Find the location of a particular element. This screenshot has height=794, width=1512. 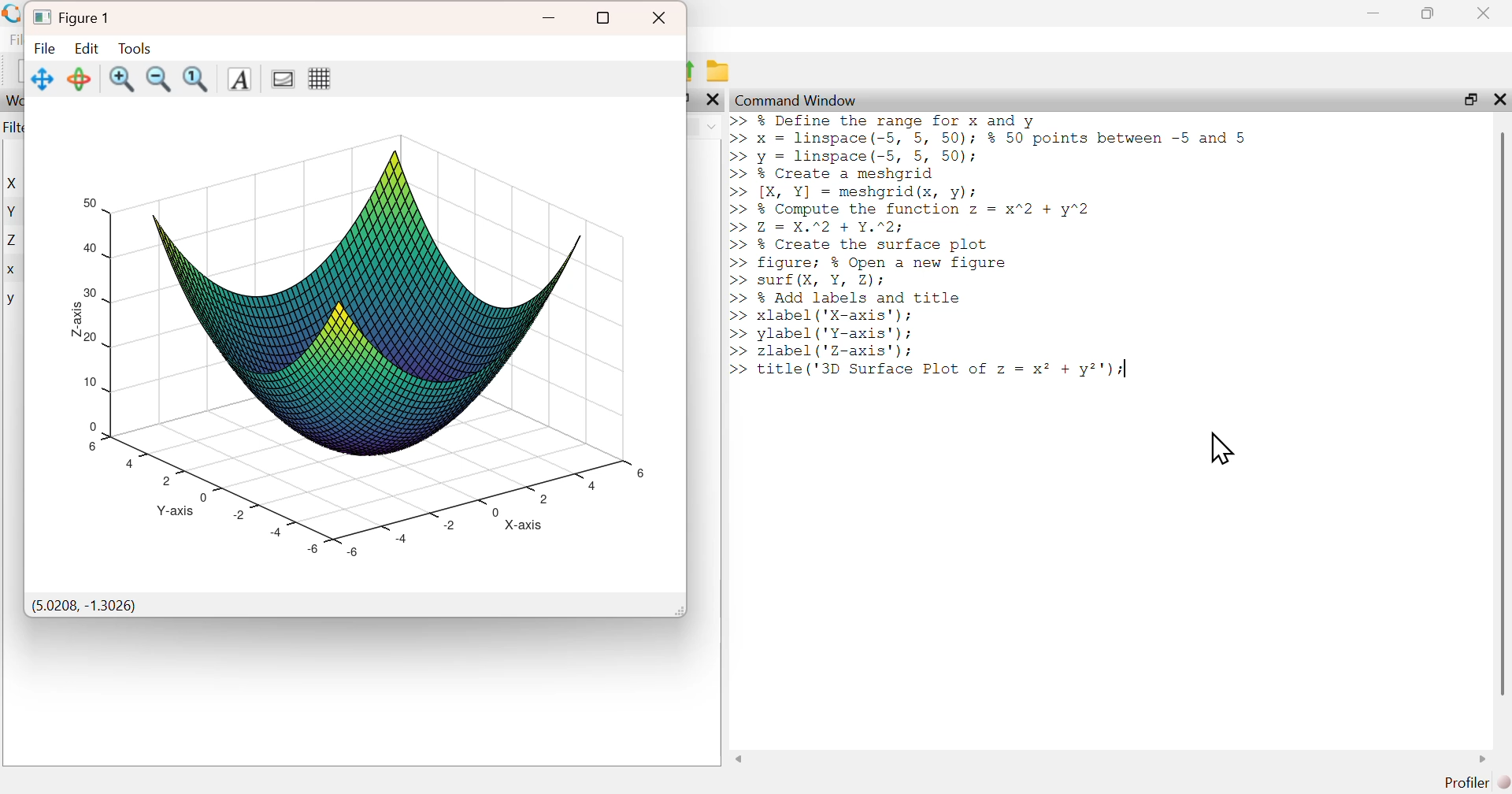

full screen is located at coordinates (604, 18).